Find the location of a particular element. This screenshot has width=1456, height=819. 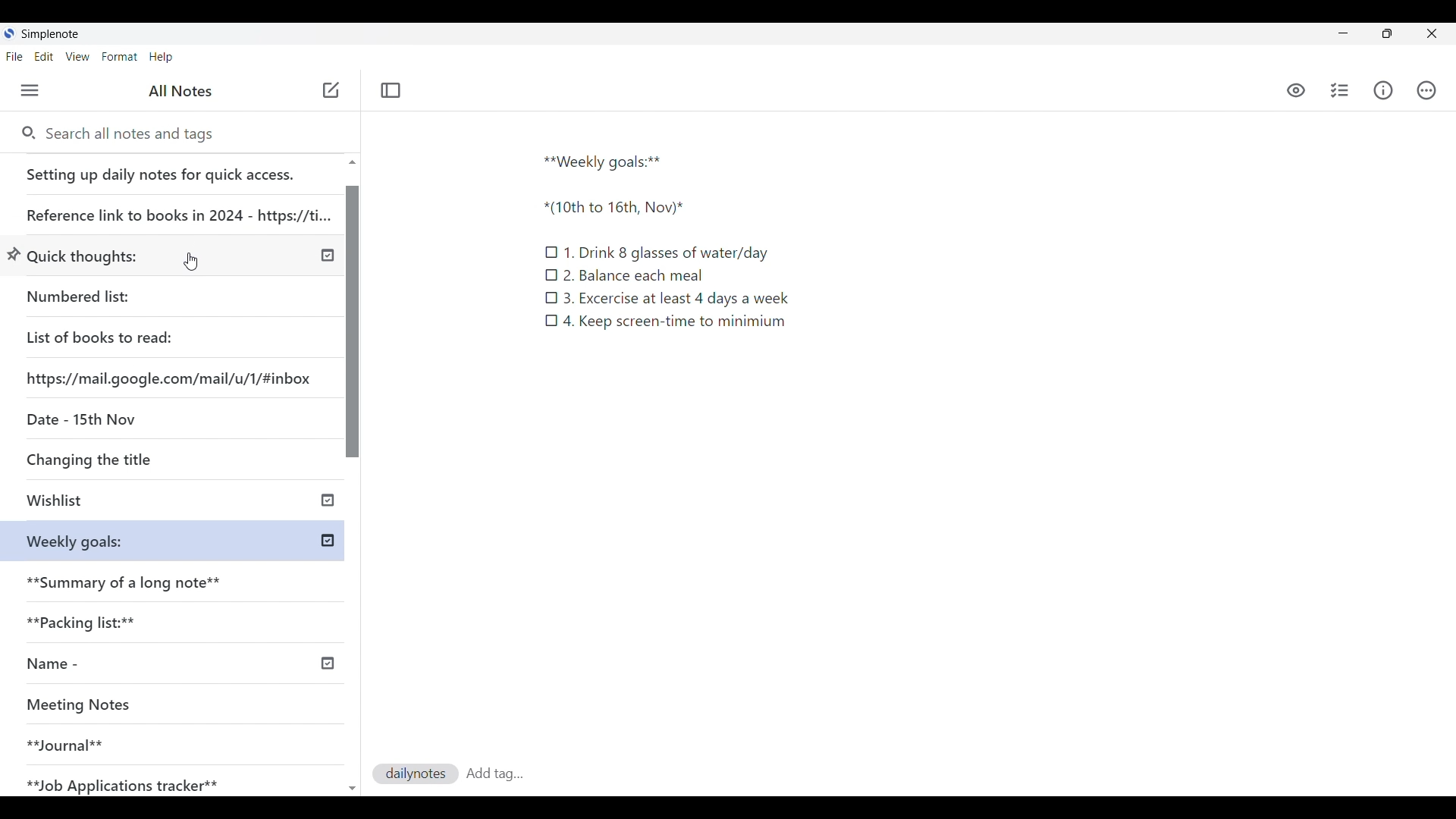

Software logo is located at coordinates (10, 33).